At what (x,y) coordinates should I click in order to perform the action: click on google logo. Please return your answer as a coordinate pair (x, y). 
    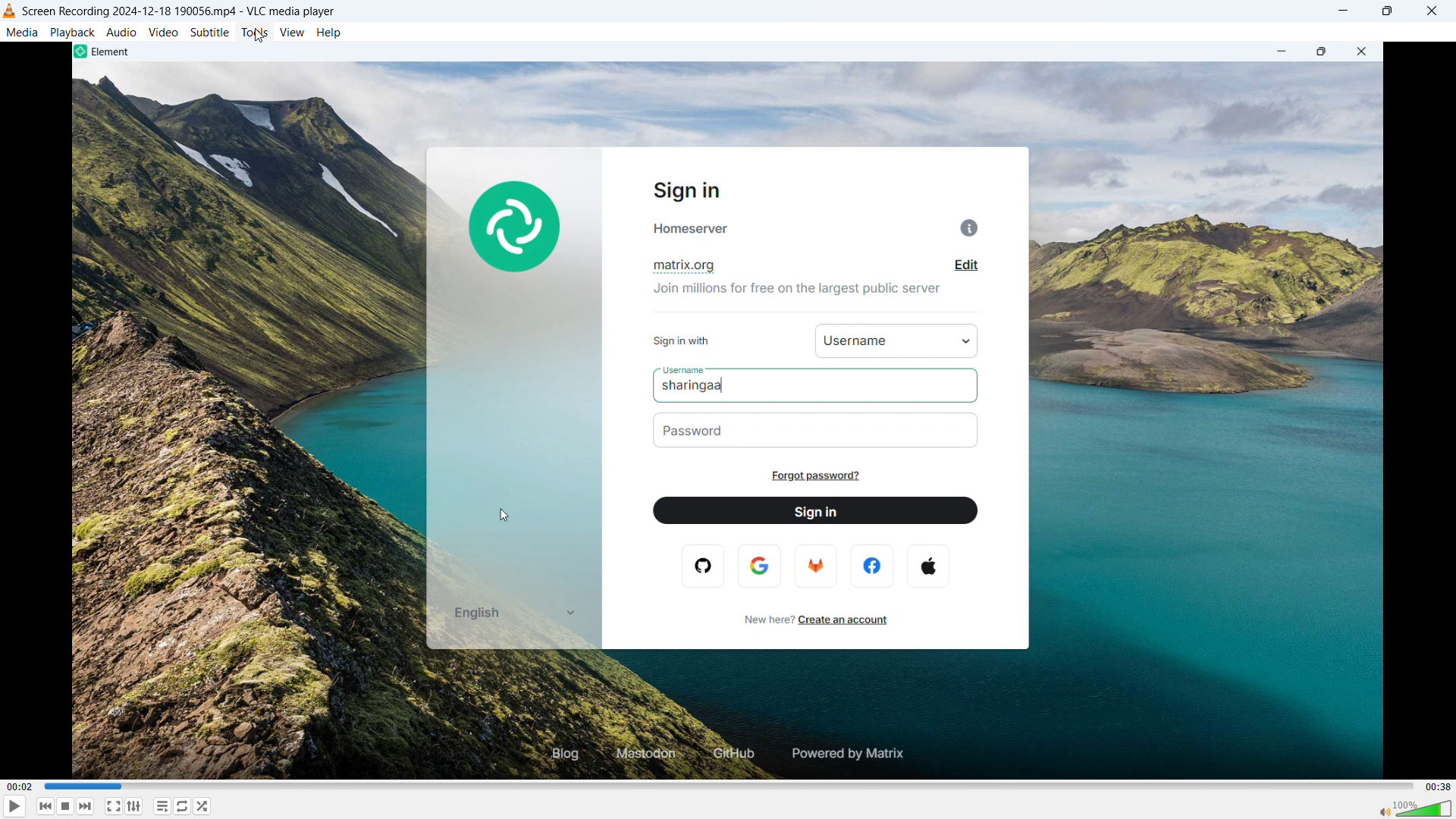
    Looking at the image, I should click on (761, 565).